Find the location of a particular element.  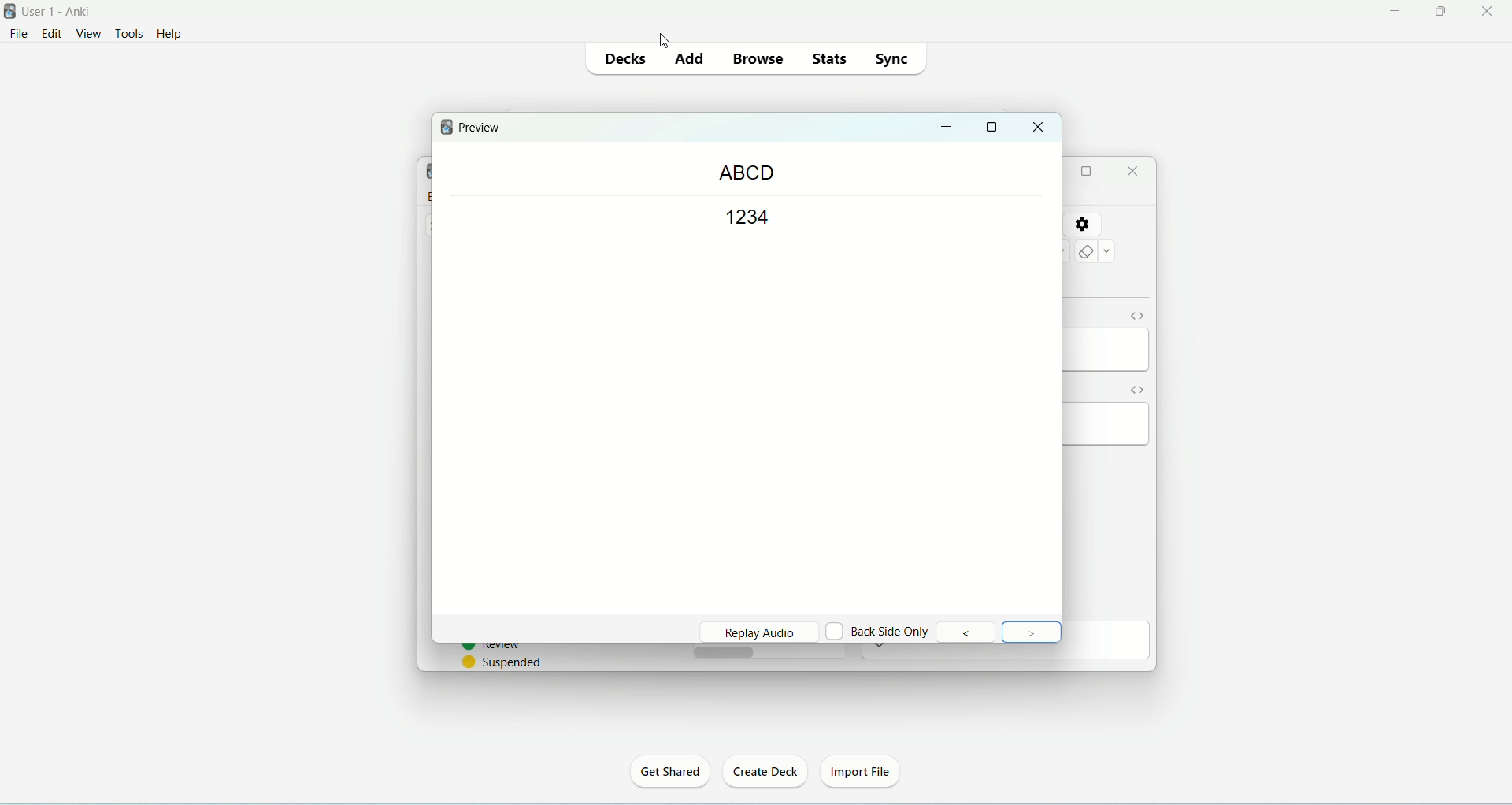

logo is located at coordinates (9, 11).